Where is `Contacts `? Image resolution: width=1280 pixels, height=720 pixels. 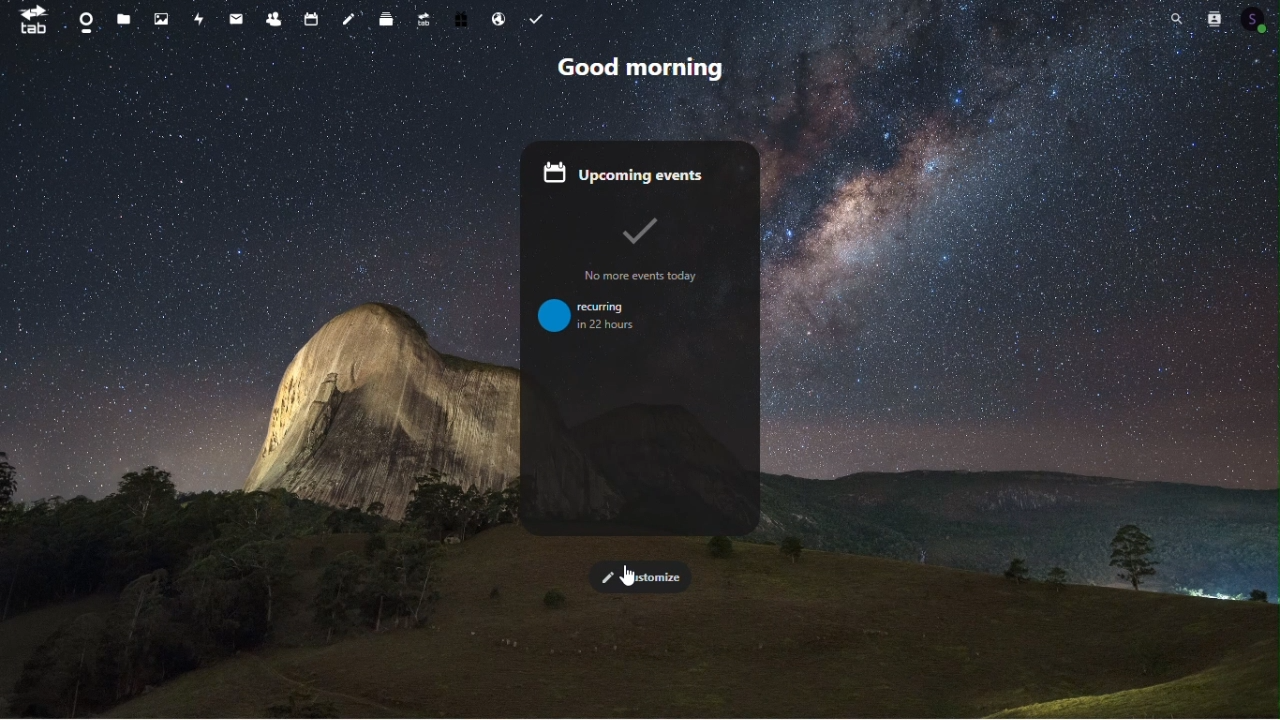
Contacts  is located at coordinates (272, 16).